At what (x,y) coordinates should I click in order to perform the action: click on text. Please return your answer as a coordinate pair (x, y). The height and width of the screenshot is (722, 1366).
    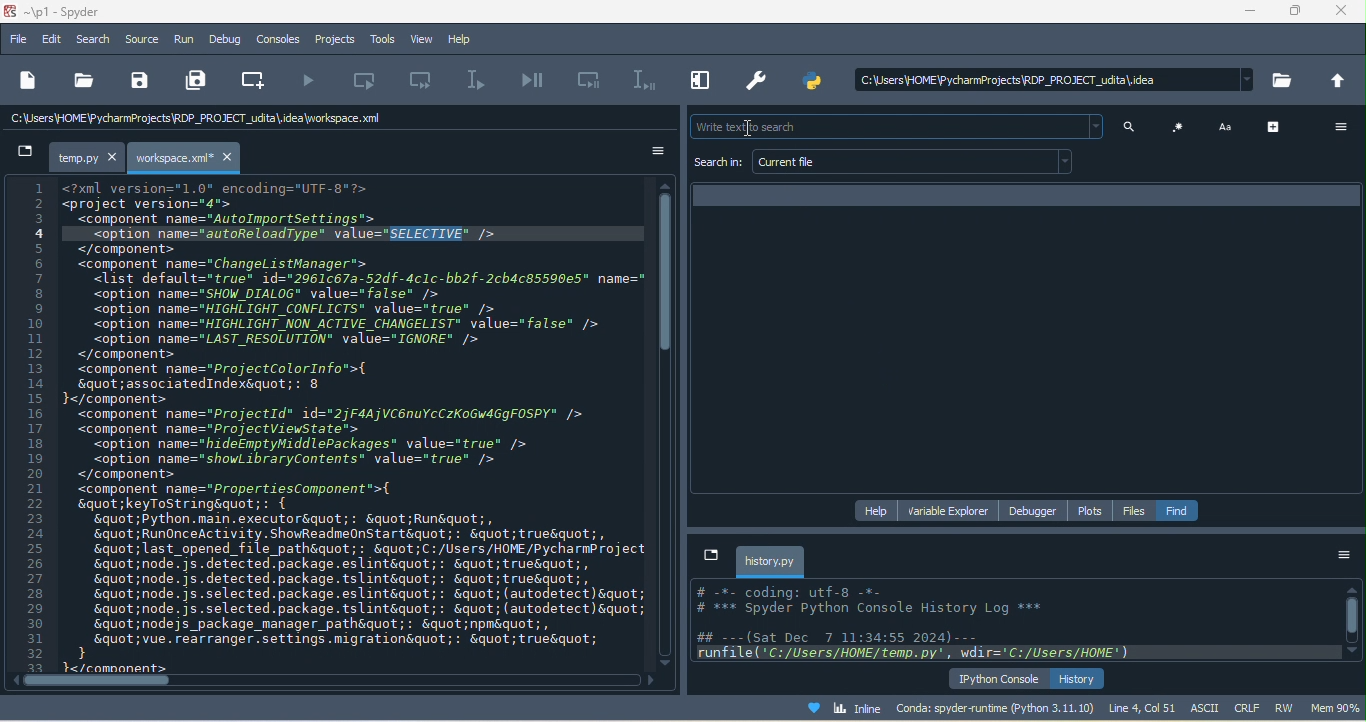
    Looking at the image, I should click on (1228, 126).